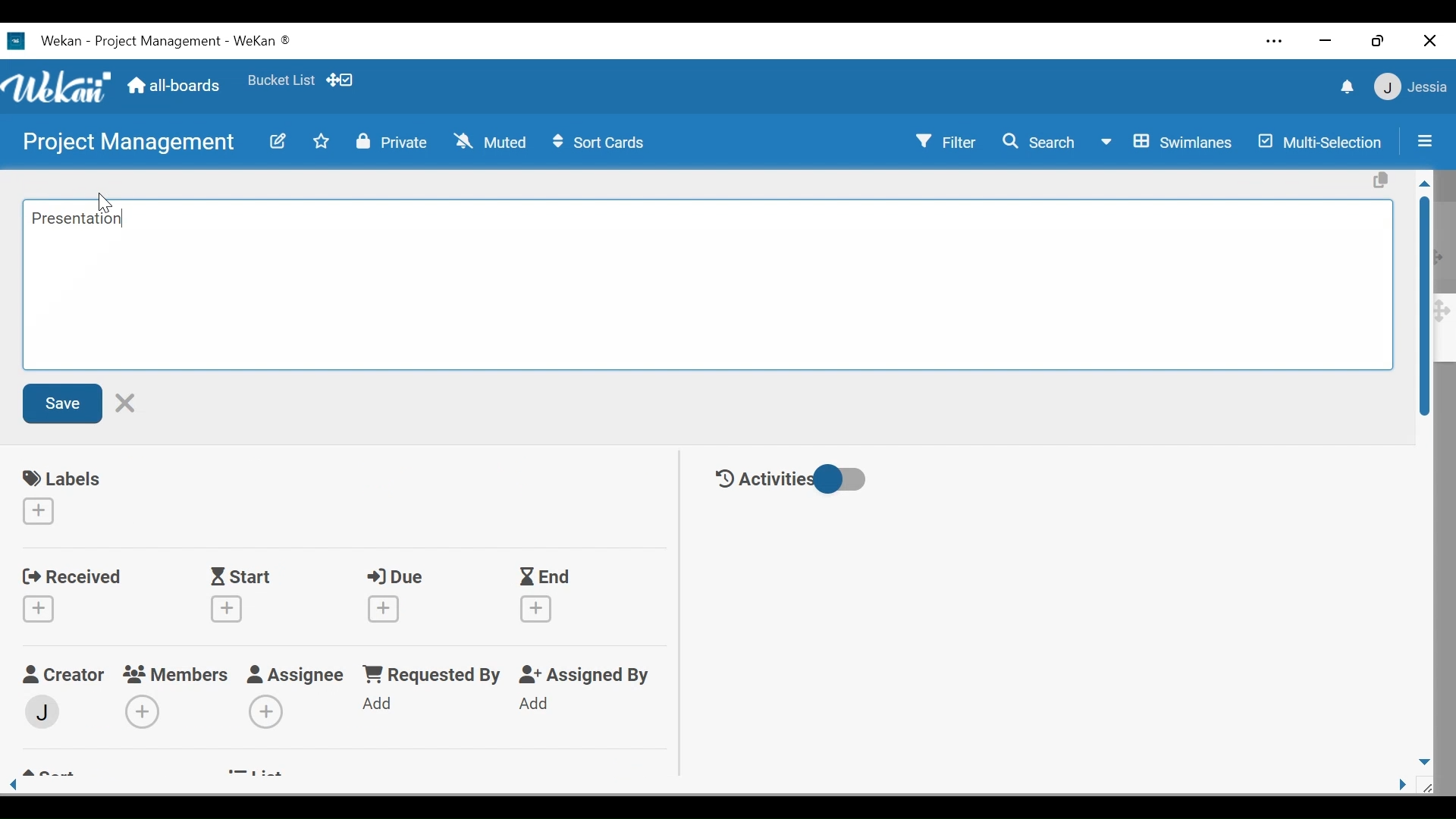 The height and width of the screenshot is (819, 1456). I want to click on Add Members, so click(143, 712).